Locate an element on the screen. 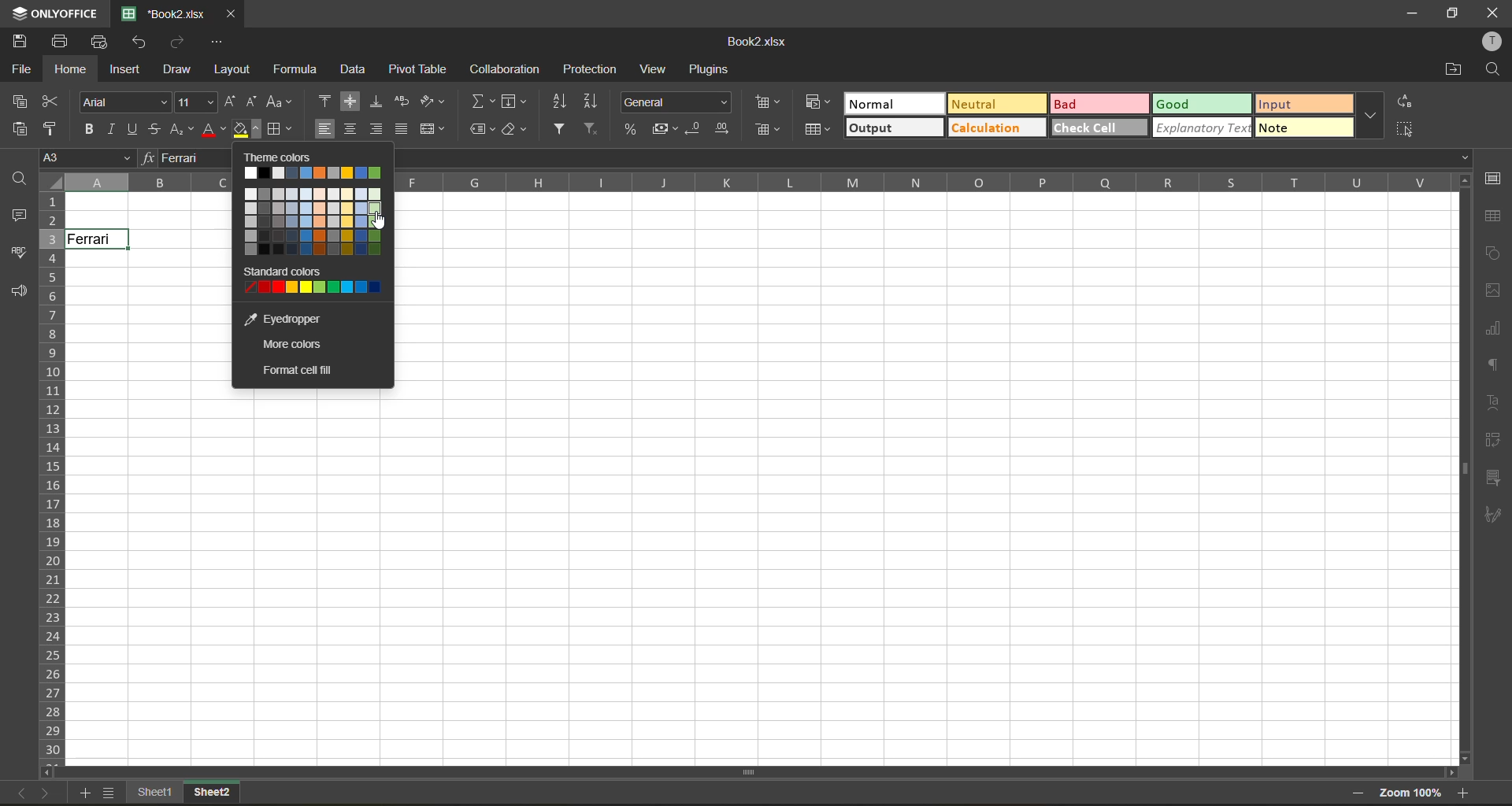 This screenshot has width=1512, height=806. copy is located at coordinates (20, 100).